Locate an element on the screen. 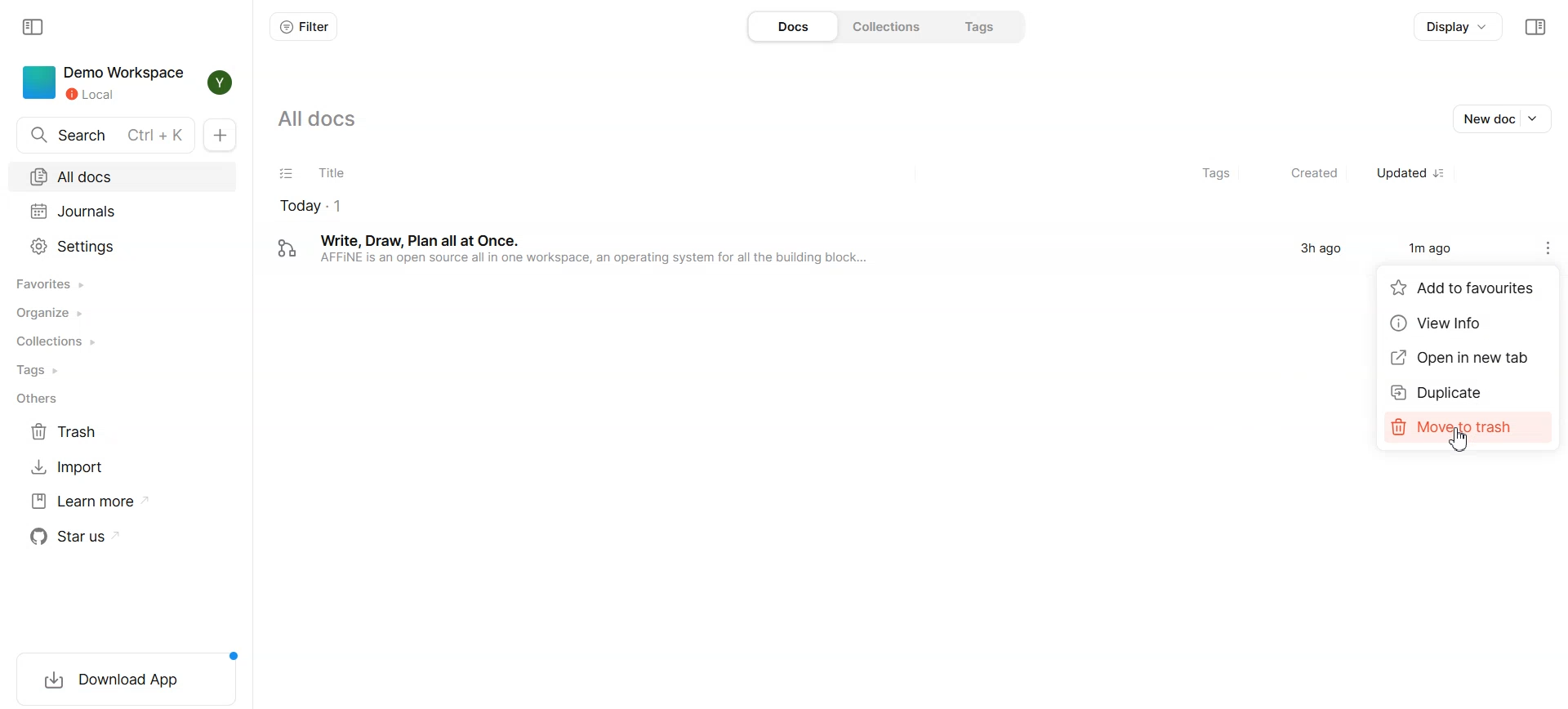  Collections is located at coordinates (122, 342).